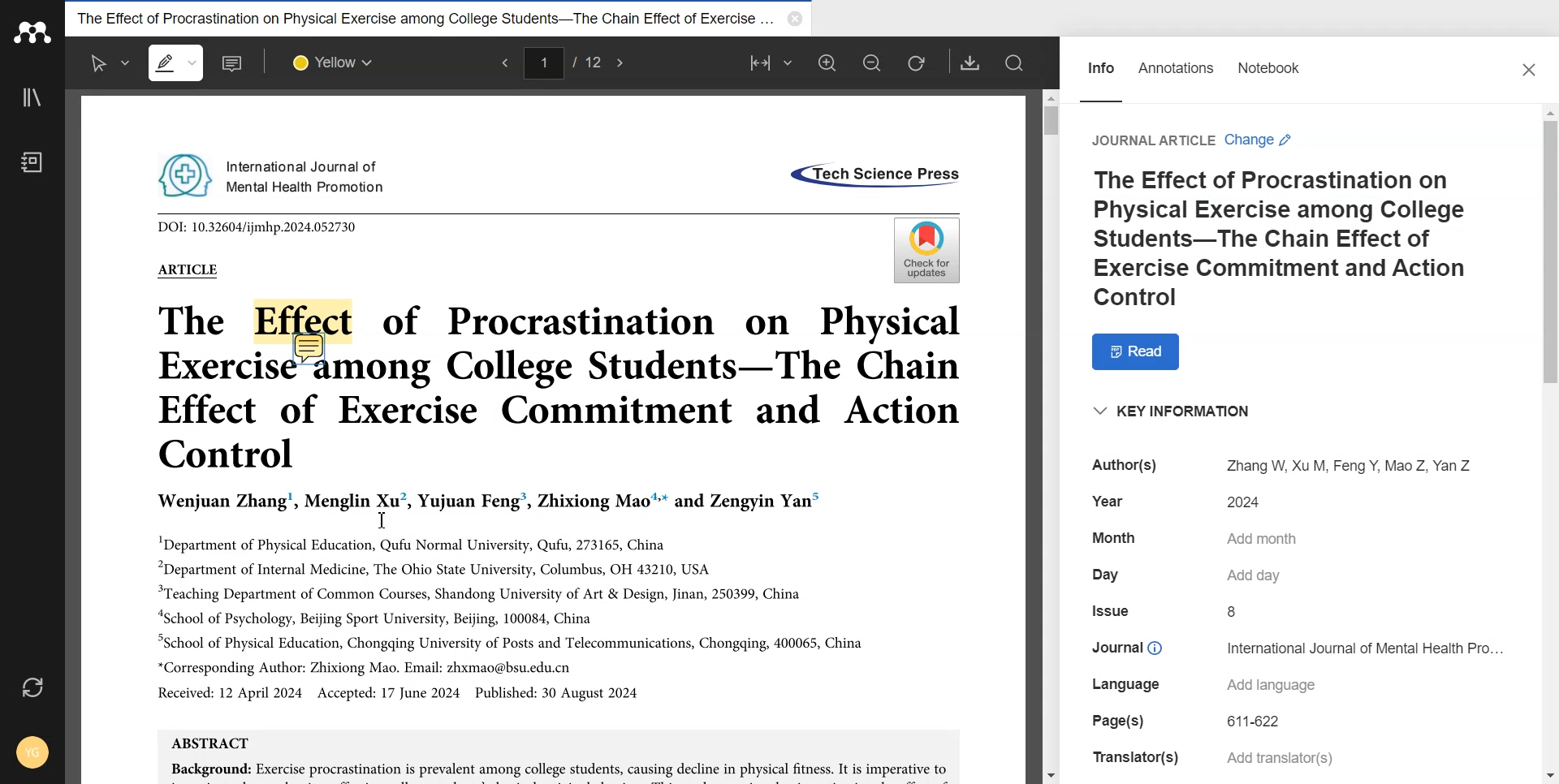 The width and height of the screenshot is (1559, 784). Describe the element at coordinates (619, 63) in the screenshot. I see `Next` at that location.